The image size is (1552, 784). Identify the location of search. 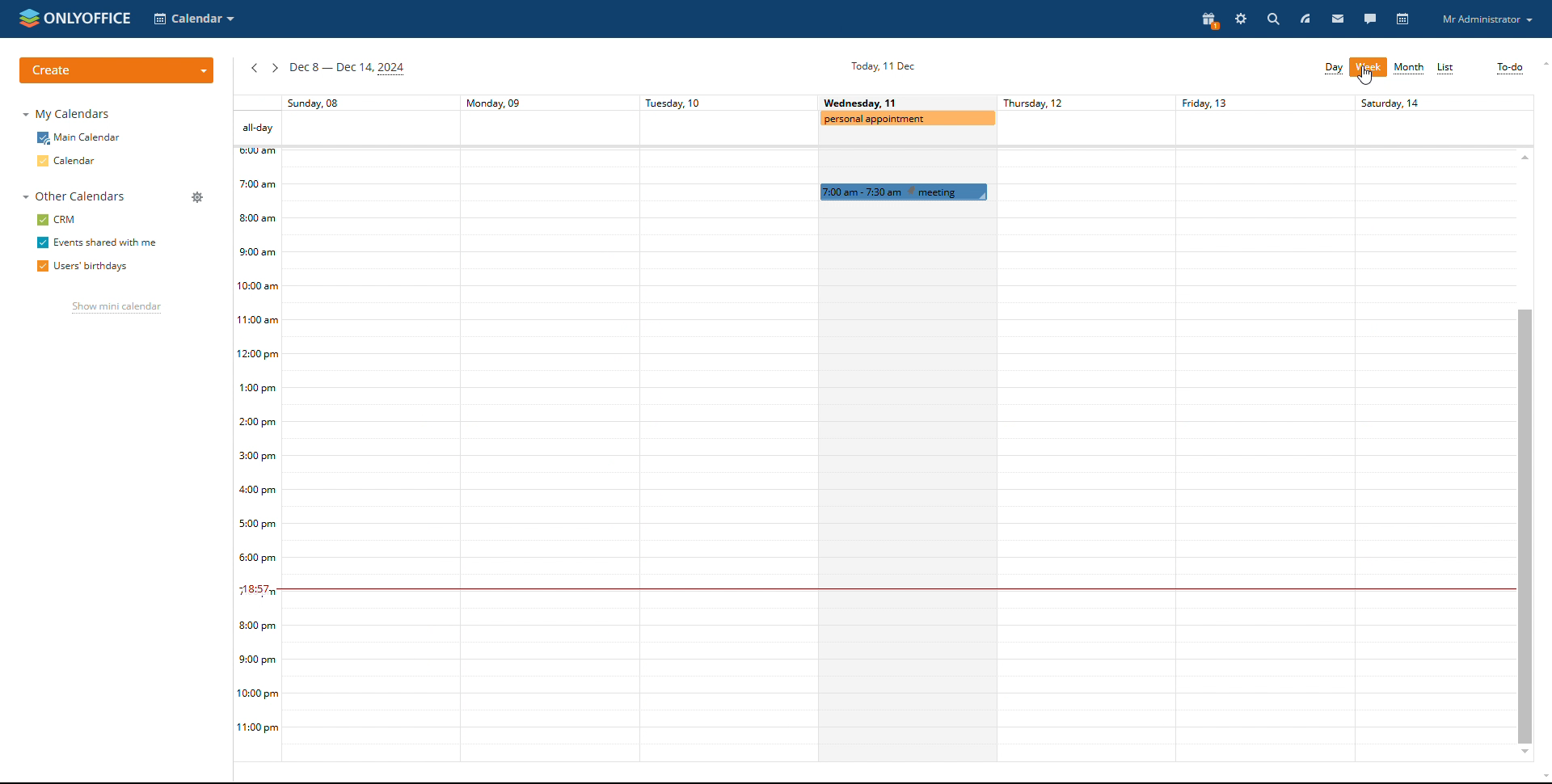
(1272, 19).